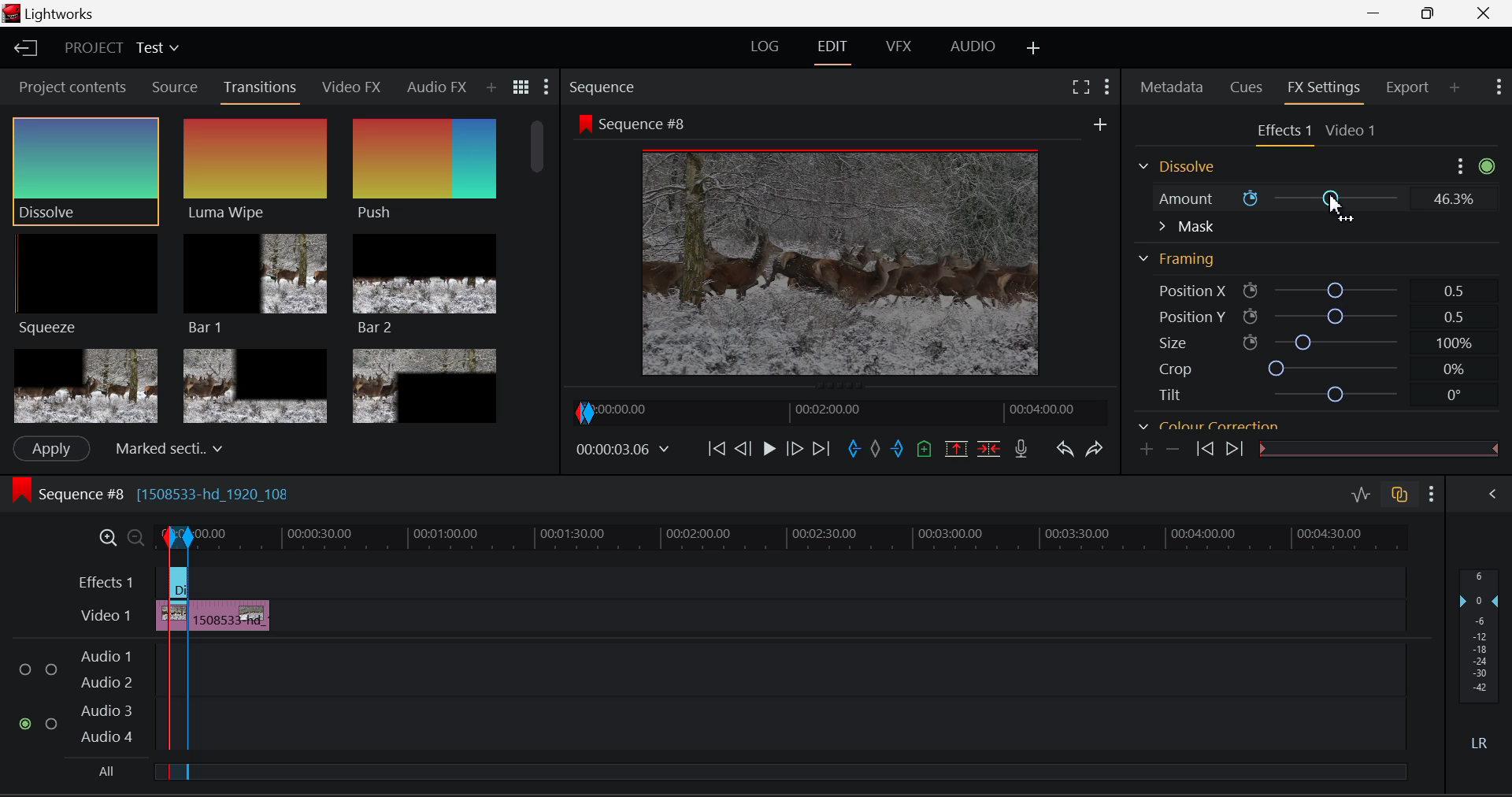 This screenshot has height=797, width=1512. Describe the element at coordinates (521, 87) in the screenshot. I see `Toggle between list and title view` at that location.